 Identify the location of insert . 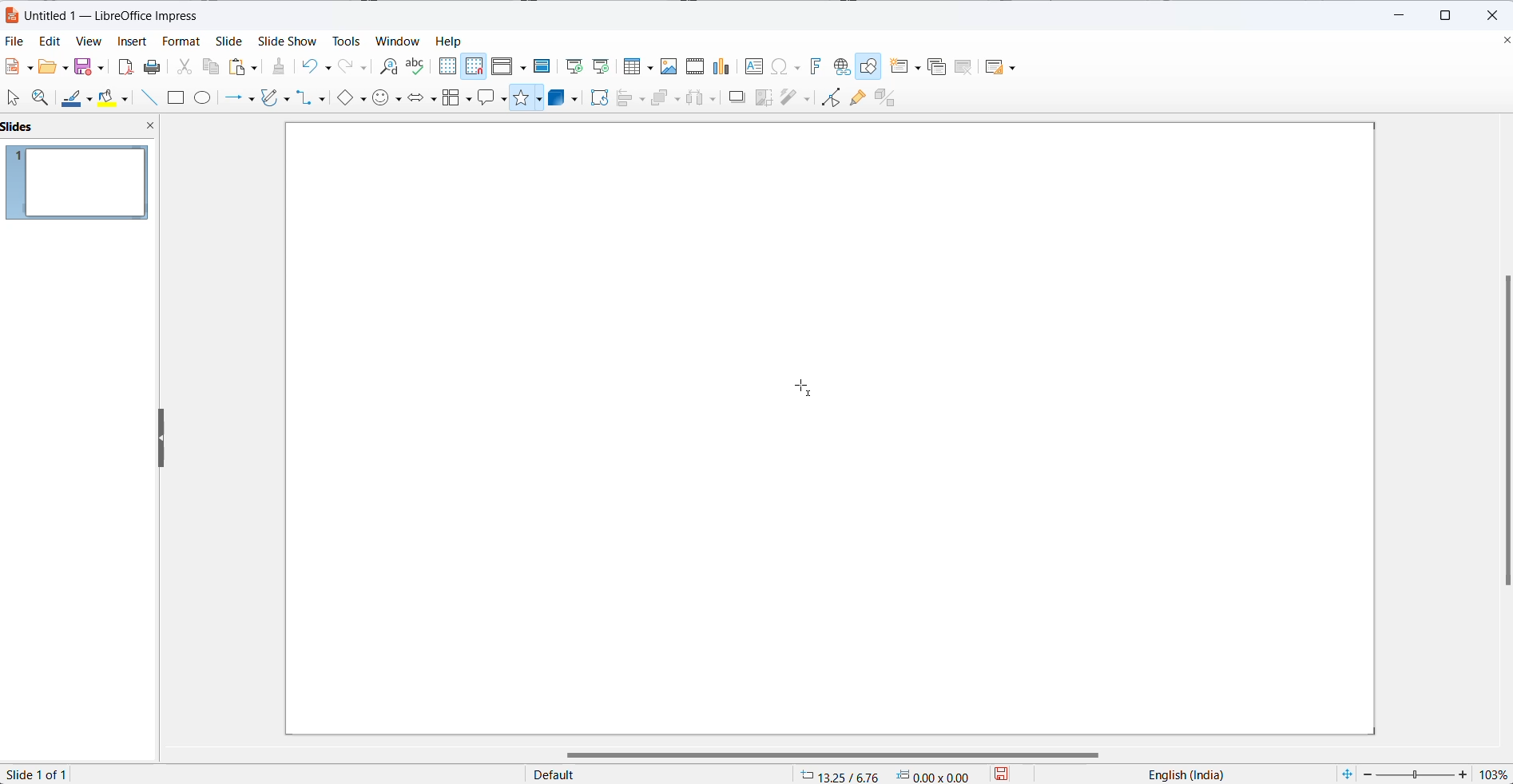
(132, 44).